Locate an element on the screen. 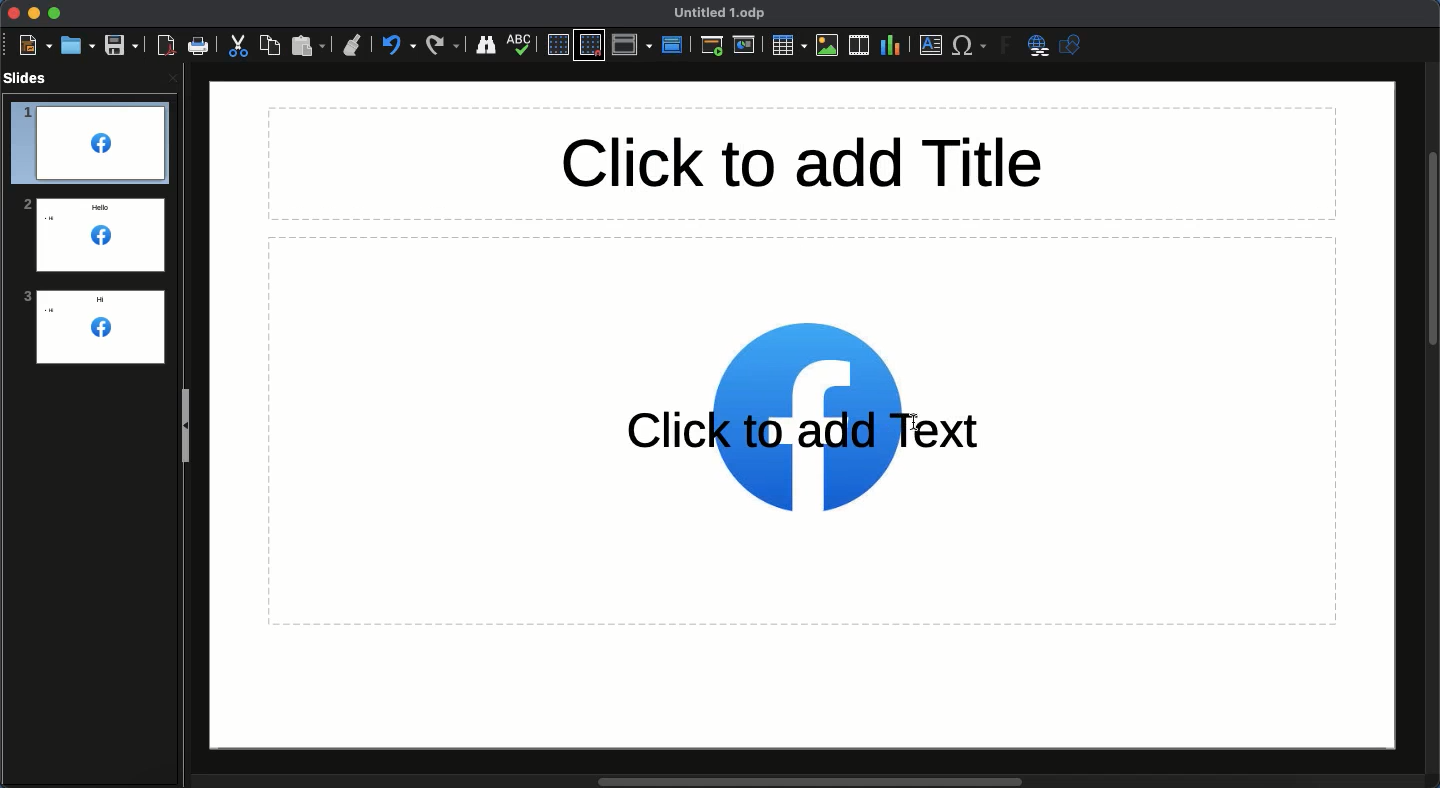 The height and width of the screenshot is (788, 1440). Logo added to all slides is located at coordinates (91, 233).